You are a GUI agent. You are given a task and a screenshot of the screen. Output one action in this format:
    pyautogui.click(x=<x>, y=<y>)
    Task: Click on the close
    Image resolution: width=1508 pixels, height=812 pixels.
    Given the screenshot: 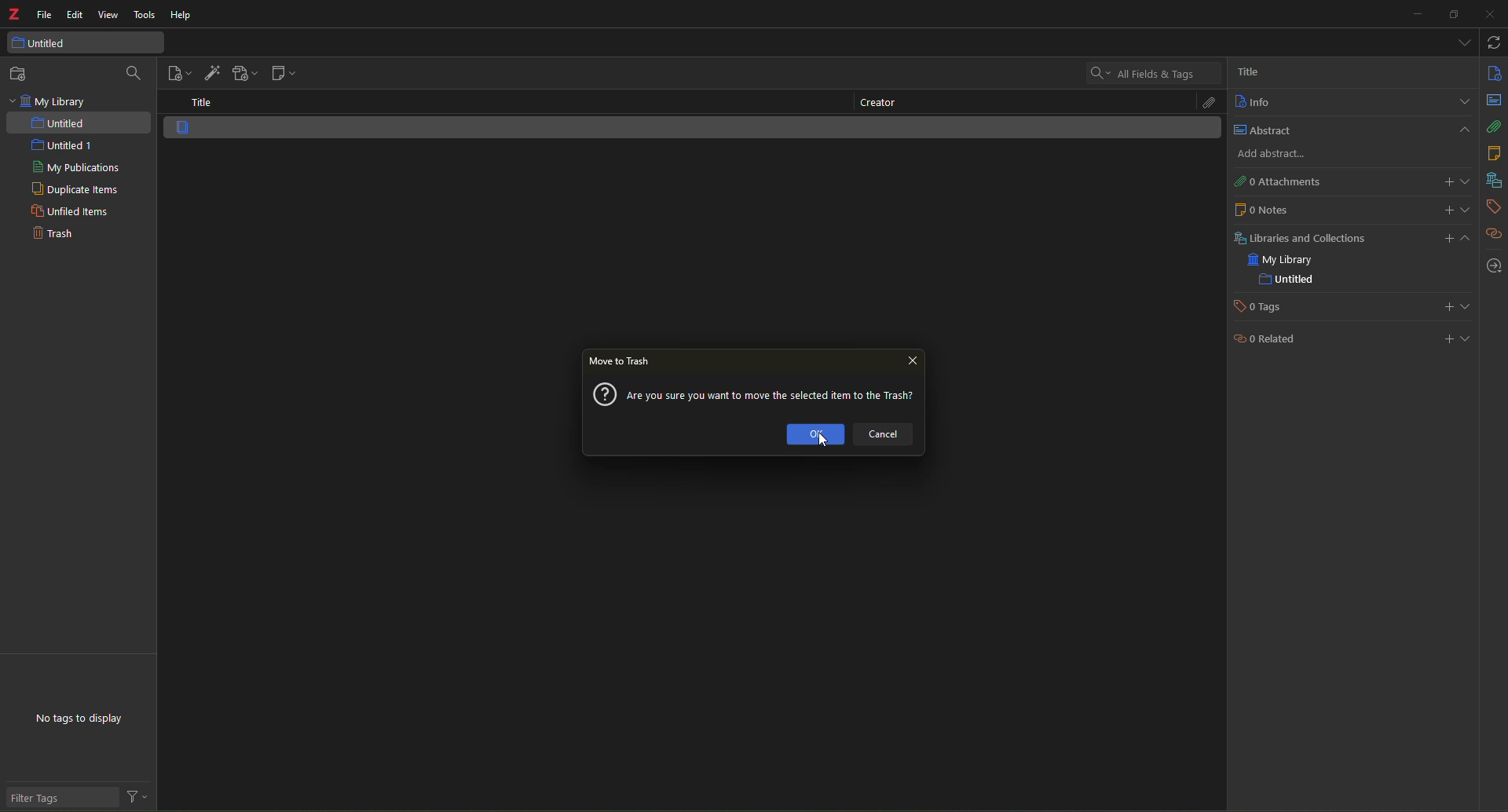 What is the action you would take?
    pyautogui.click(x=1462, y=130)
    